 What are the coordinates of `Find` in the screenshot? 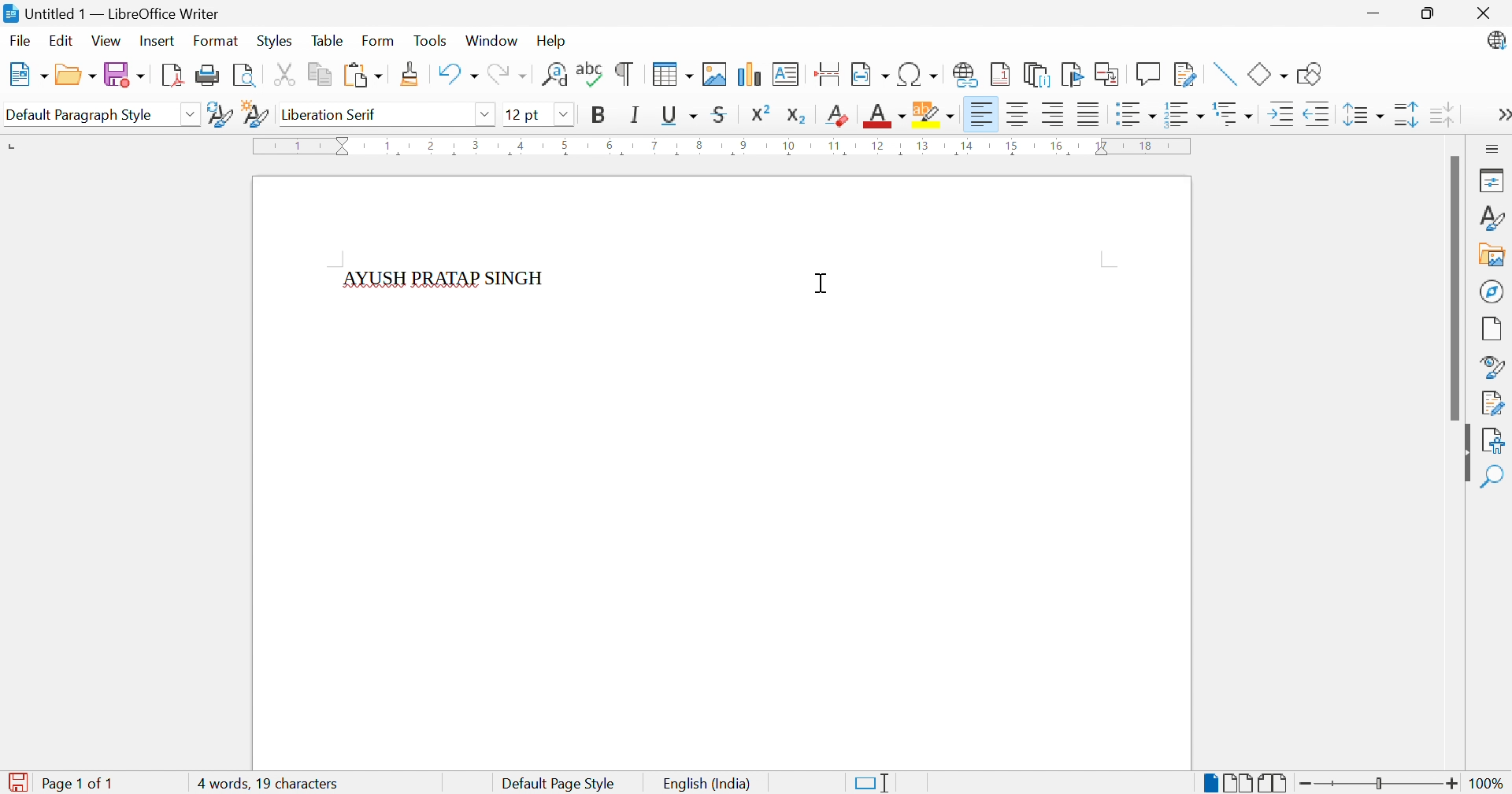 It's located at (1496, 477).